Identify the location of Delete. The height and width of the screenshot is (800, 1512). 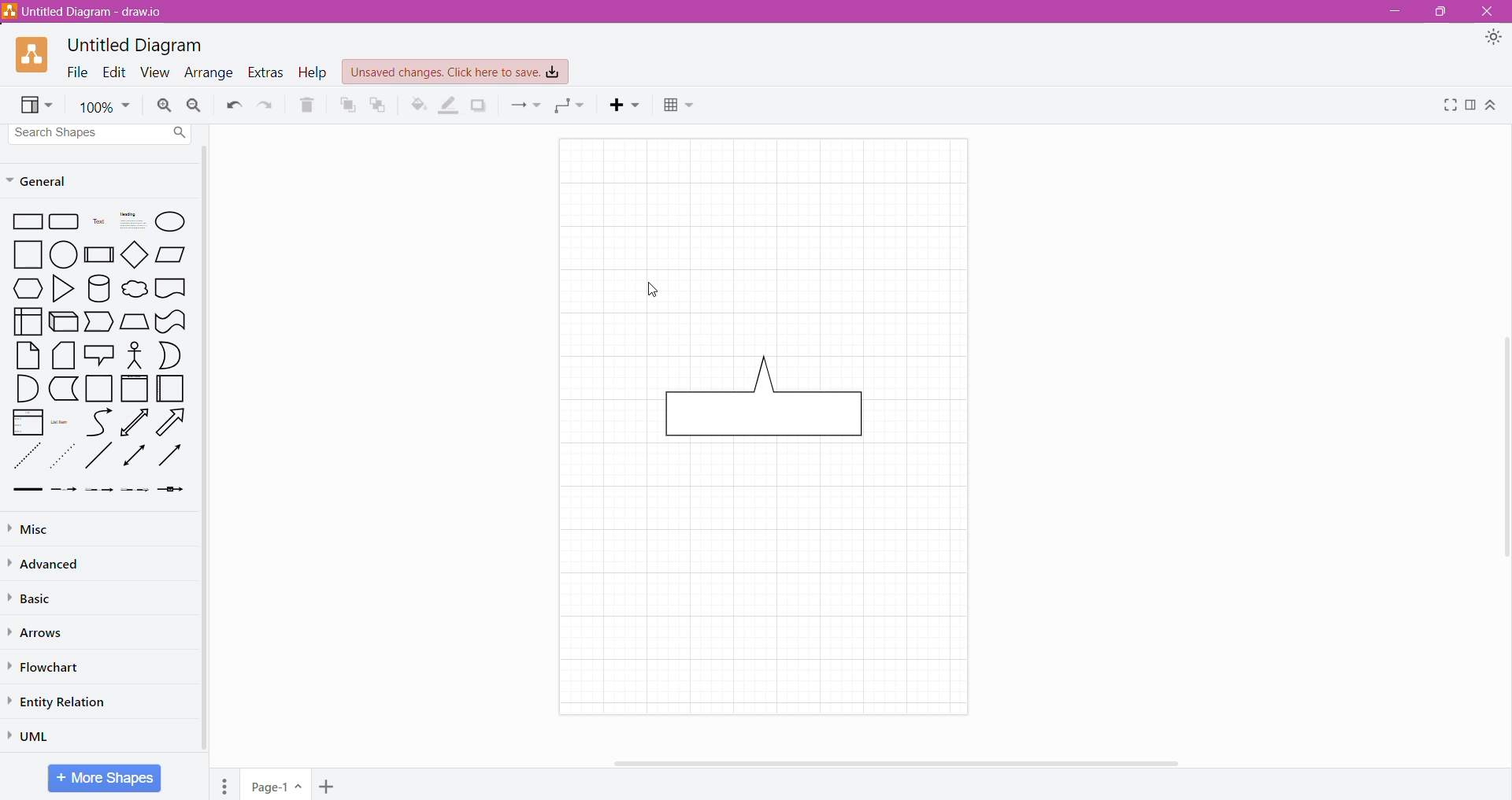
(308, 103).